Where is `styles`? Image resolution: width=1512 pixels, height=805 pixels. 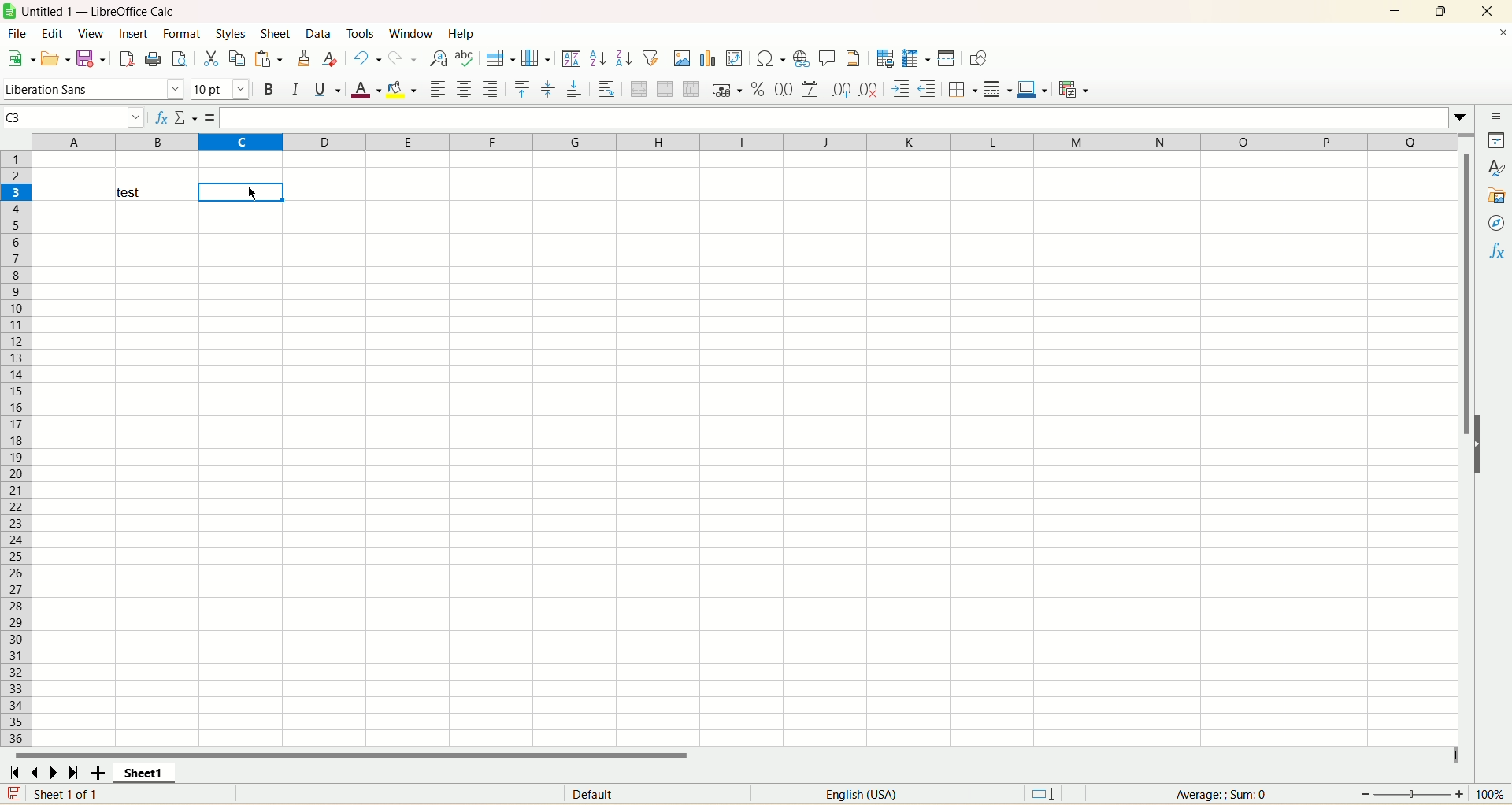
styles is located at coordinates (1495, 169).